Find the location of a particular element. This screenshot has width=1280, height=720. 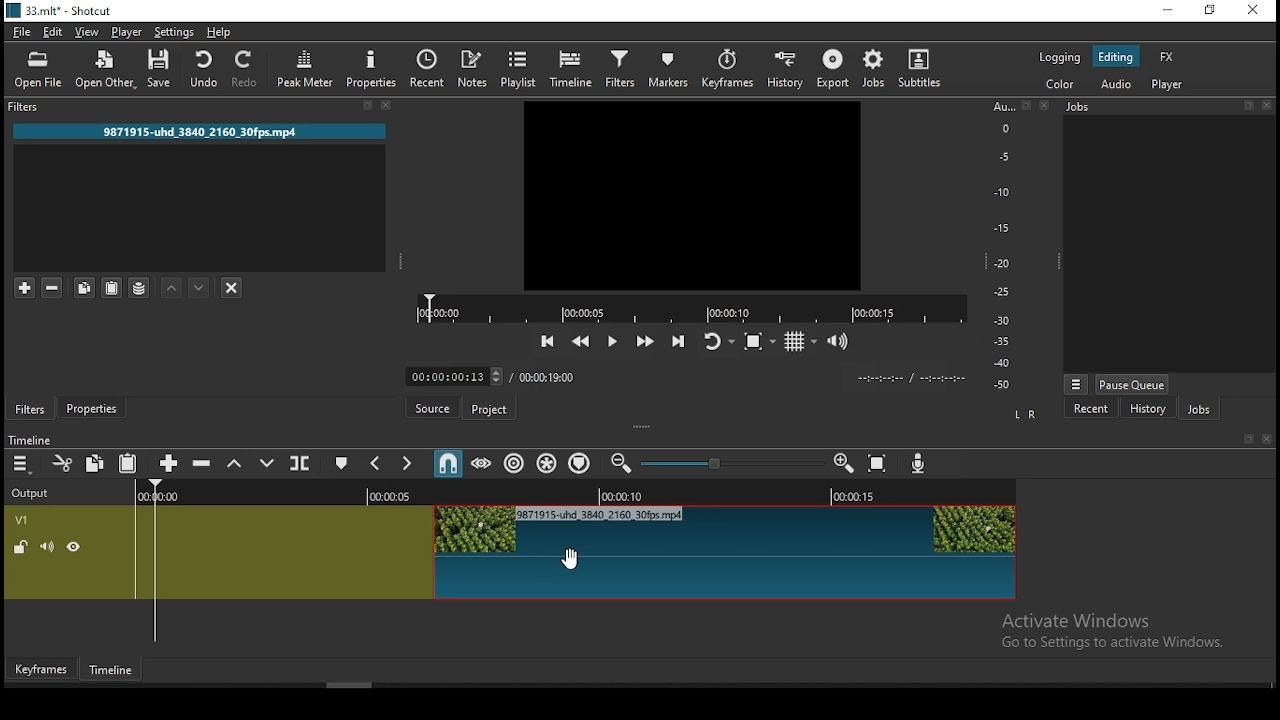

player is located at coordinates (127, 31).